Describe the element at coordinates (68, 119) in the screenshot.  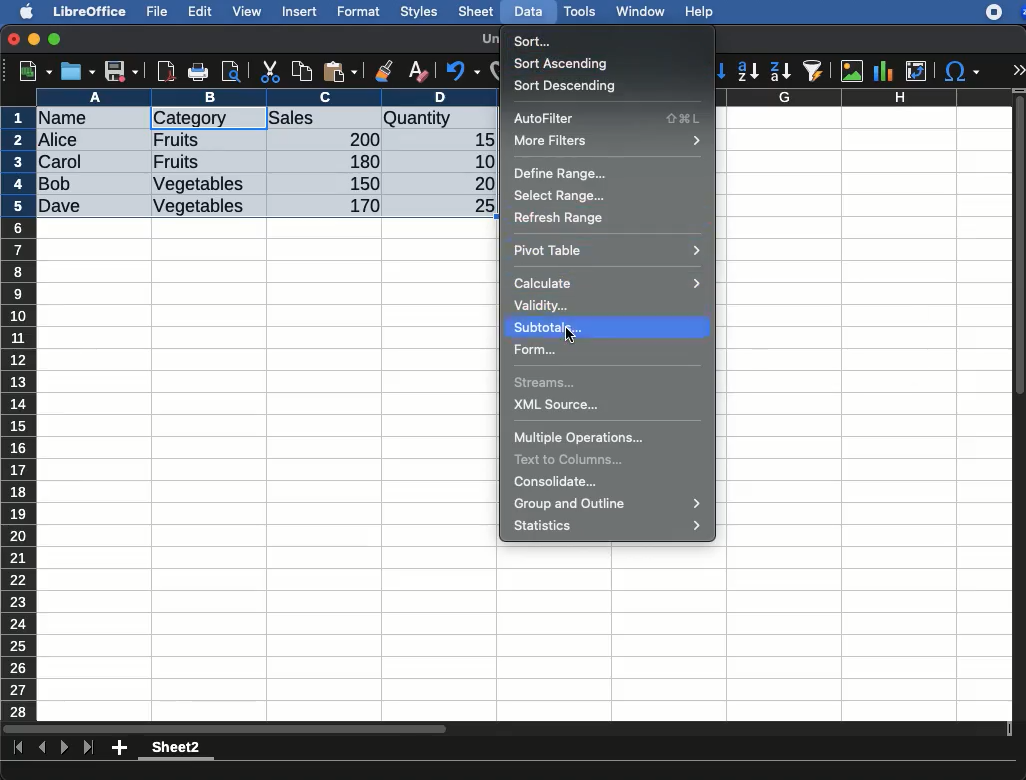
I see `name` at that location.